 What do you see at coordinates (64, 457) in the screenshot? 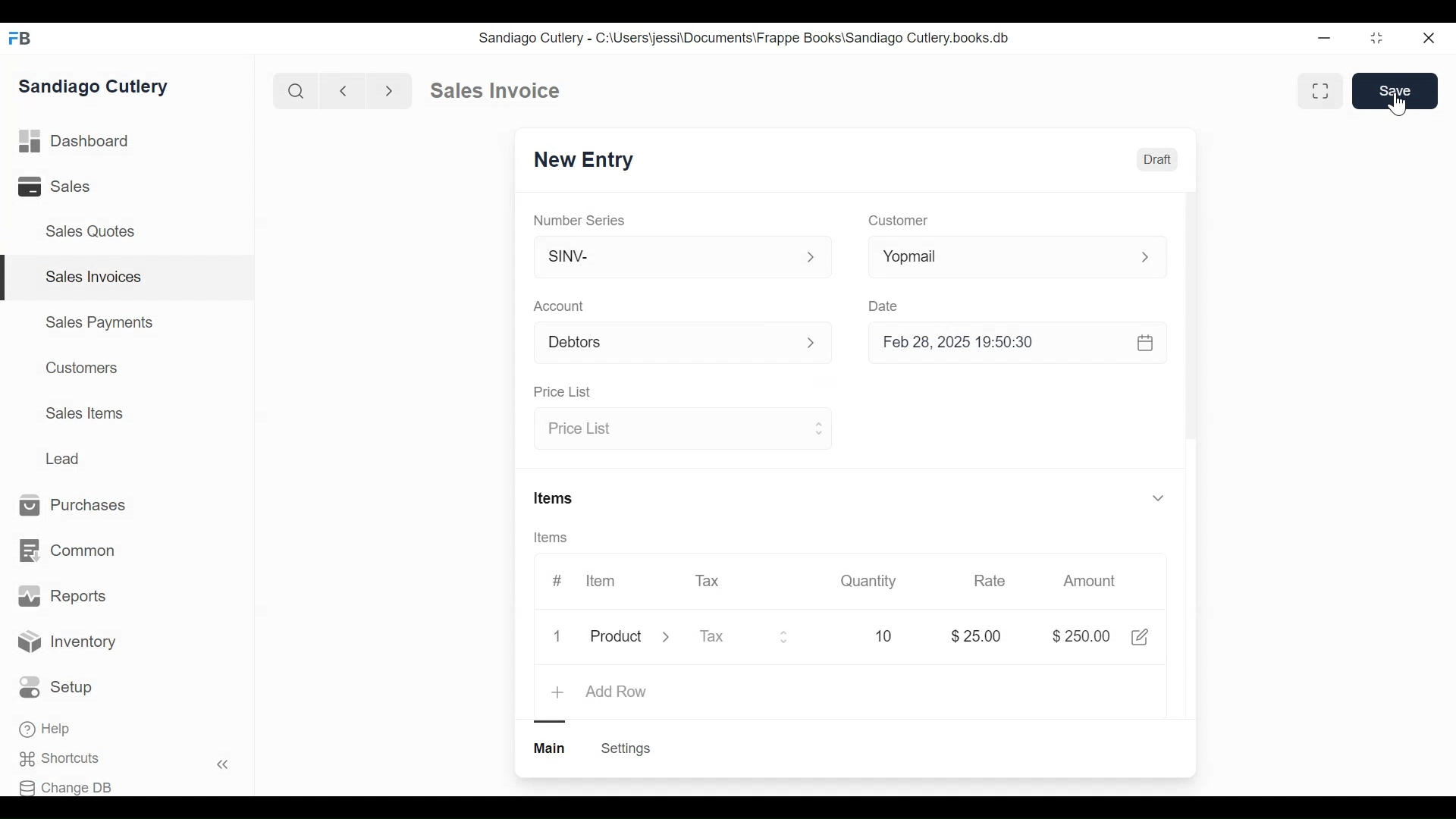
I see `Lead` at bounding box center [64, 457].